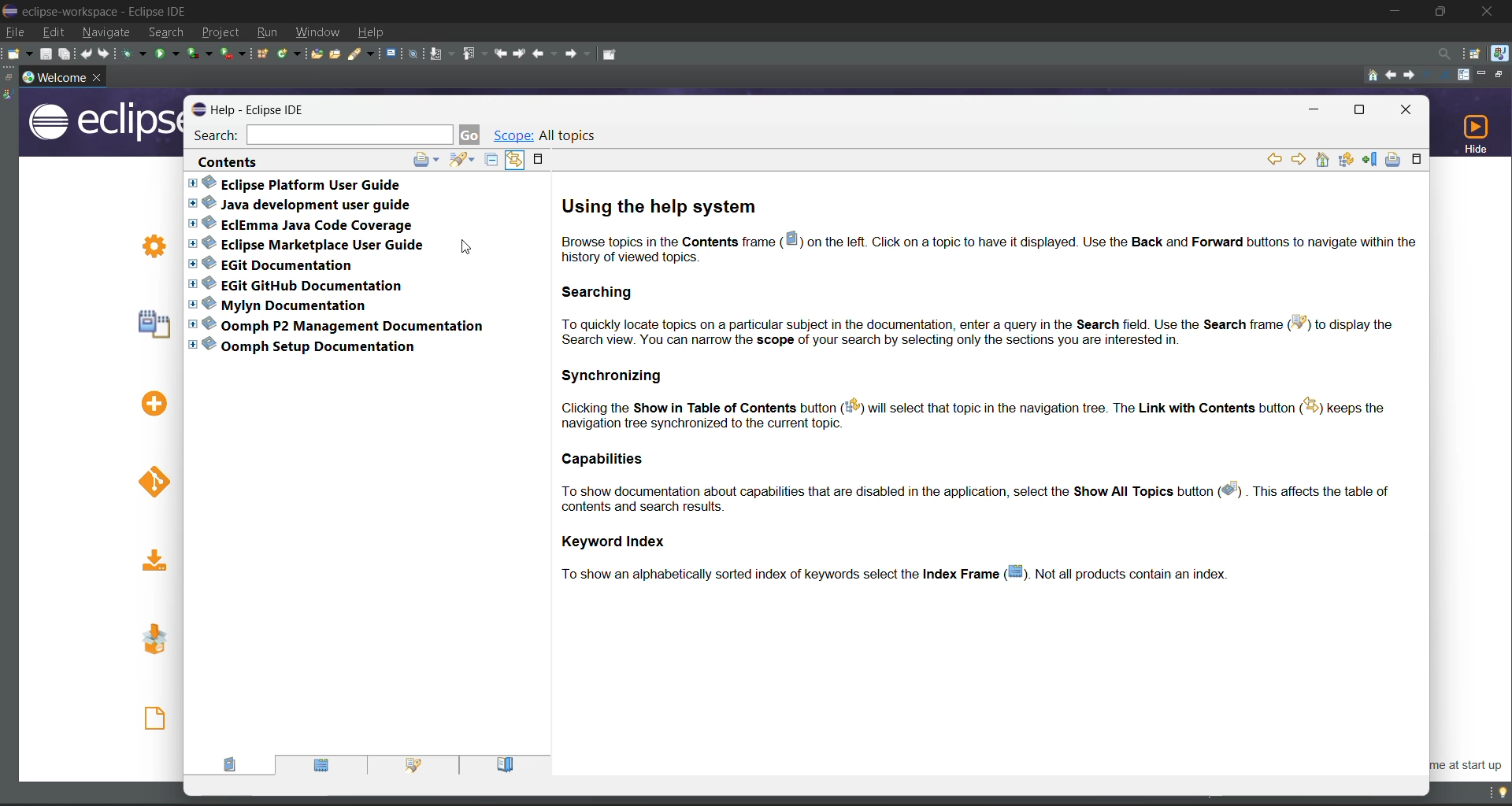 The width and height of the screenshot is (1512, 806). I want to click on window, so click(317, 30).